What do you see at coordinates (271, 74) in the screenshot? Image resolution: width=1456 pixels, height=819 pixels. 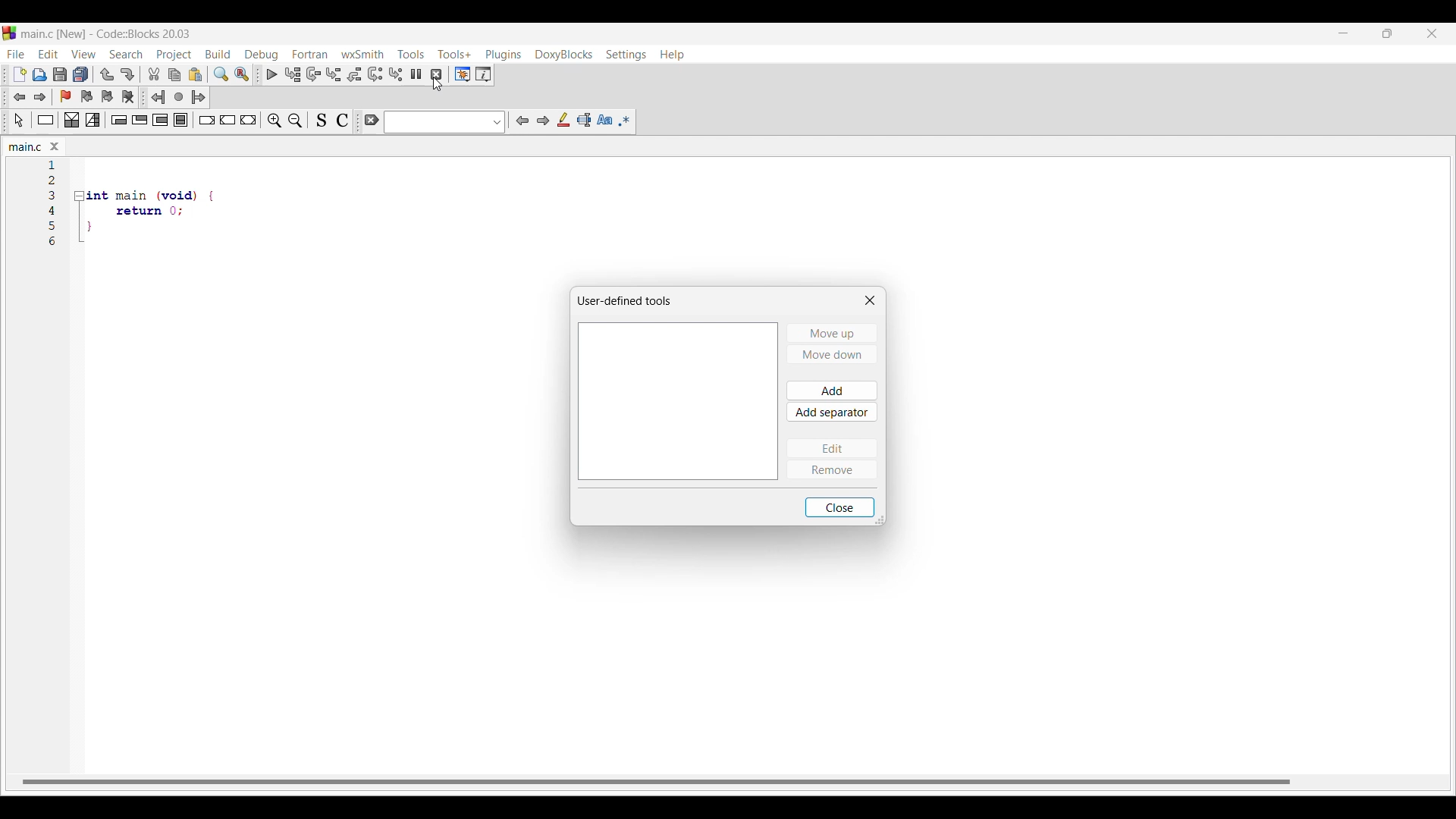 I see `Debug/Continue` at bounding box center [271, 74].